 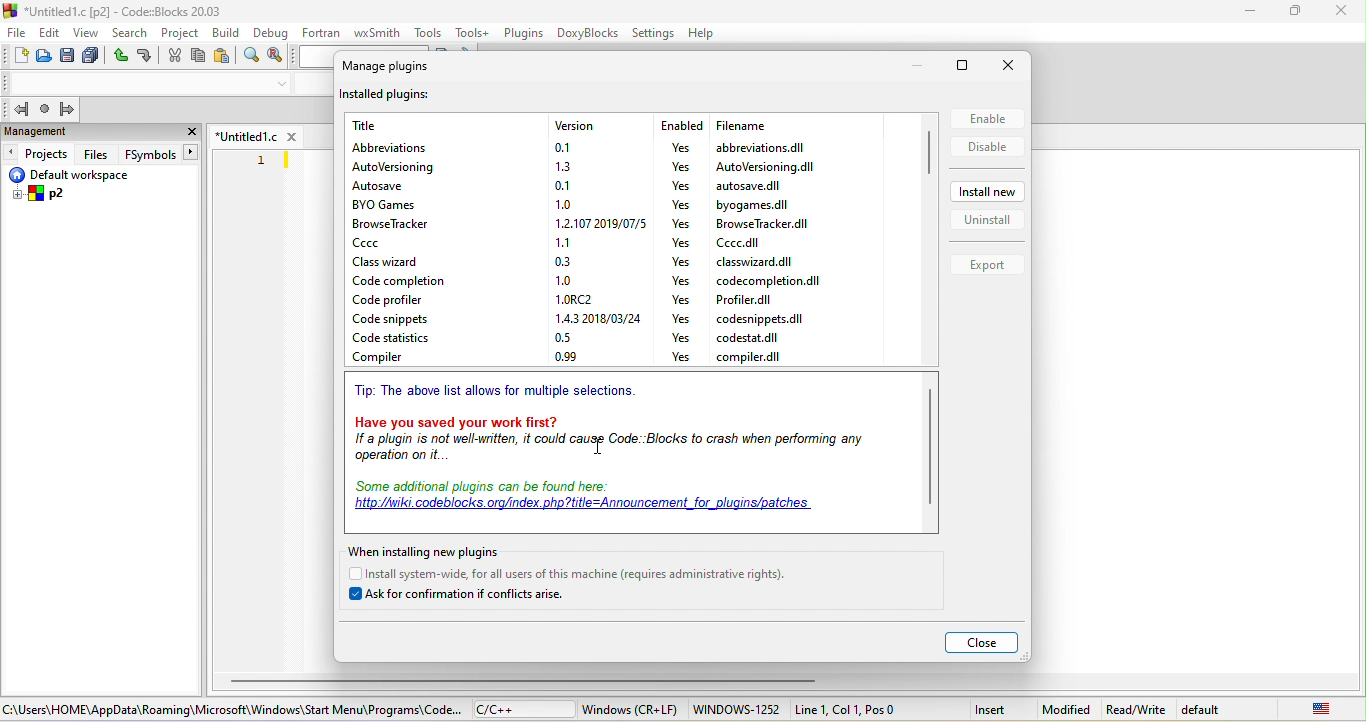 I want to click on read\write, so click(x=1138, y=710).